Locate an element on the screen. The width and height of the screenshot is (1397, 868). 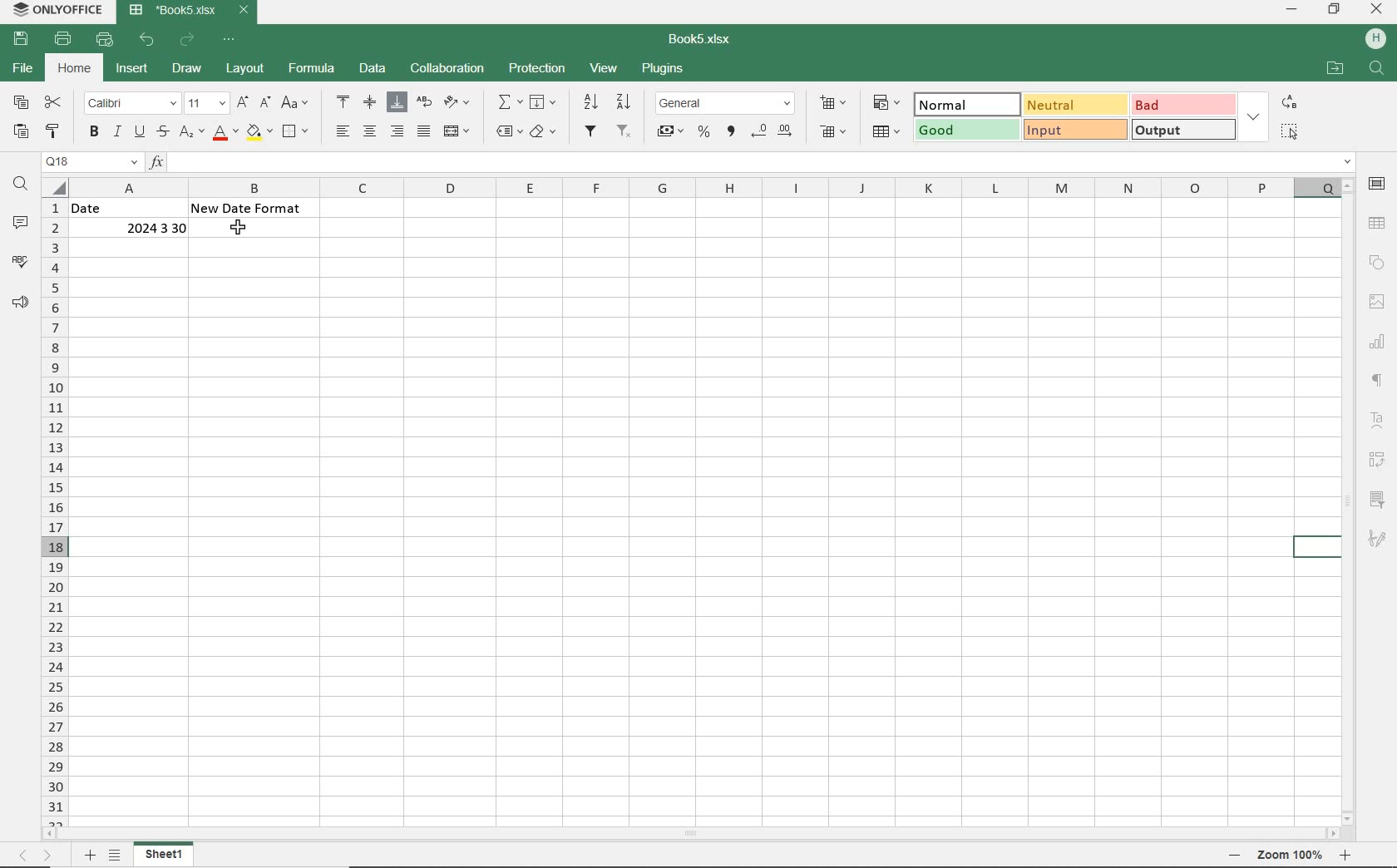
PRINT is located at coordinates (63, 37).